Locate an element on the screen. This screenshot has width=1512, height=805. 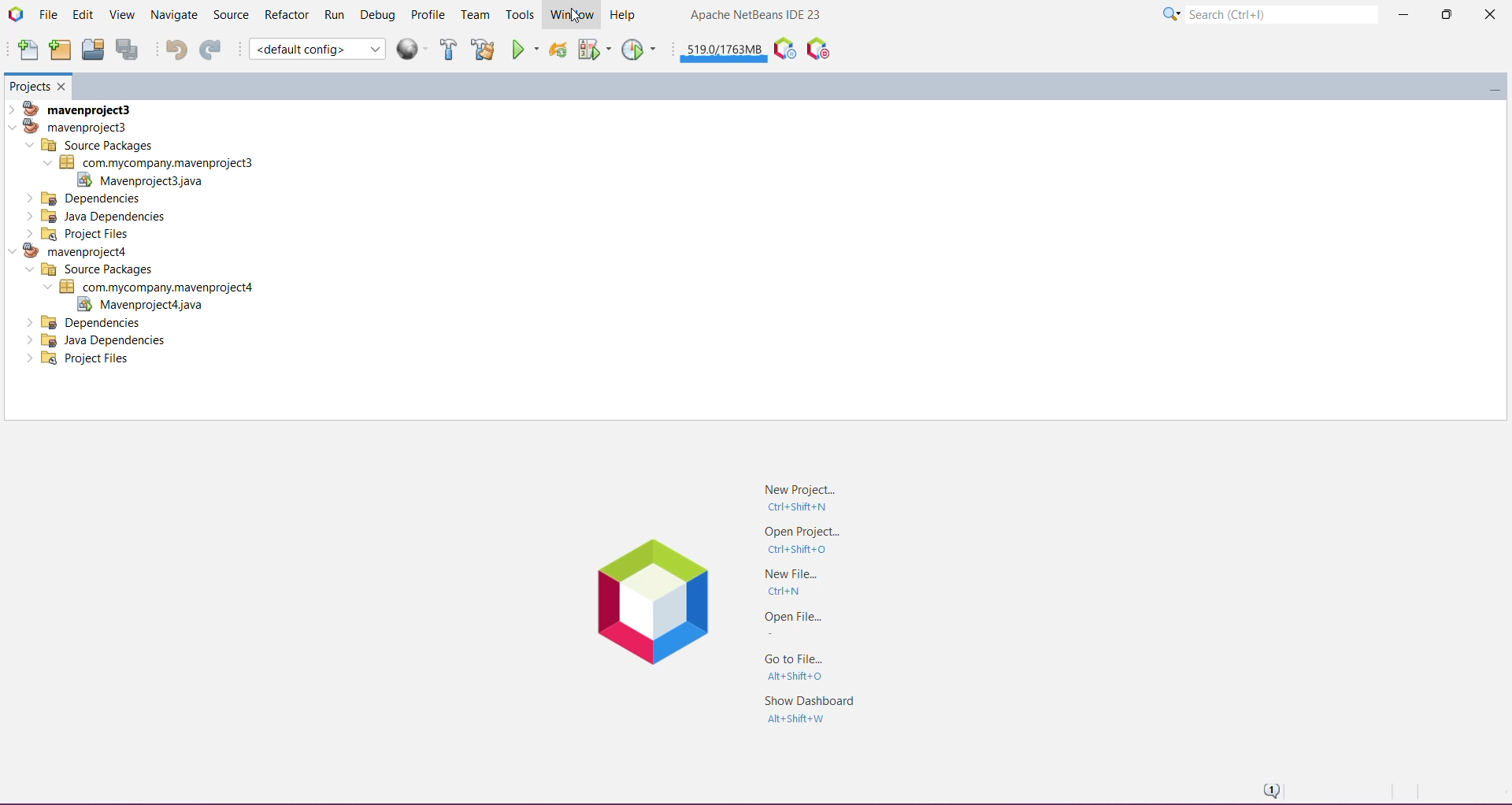
Open Project.. is located at coordinates (800, 540).